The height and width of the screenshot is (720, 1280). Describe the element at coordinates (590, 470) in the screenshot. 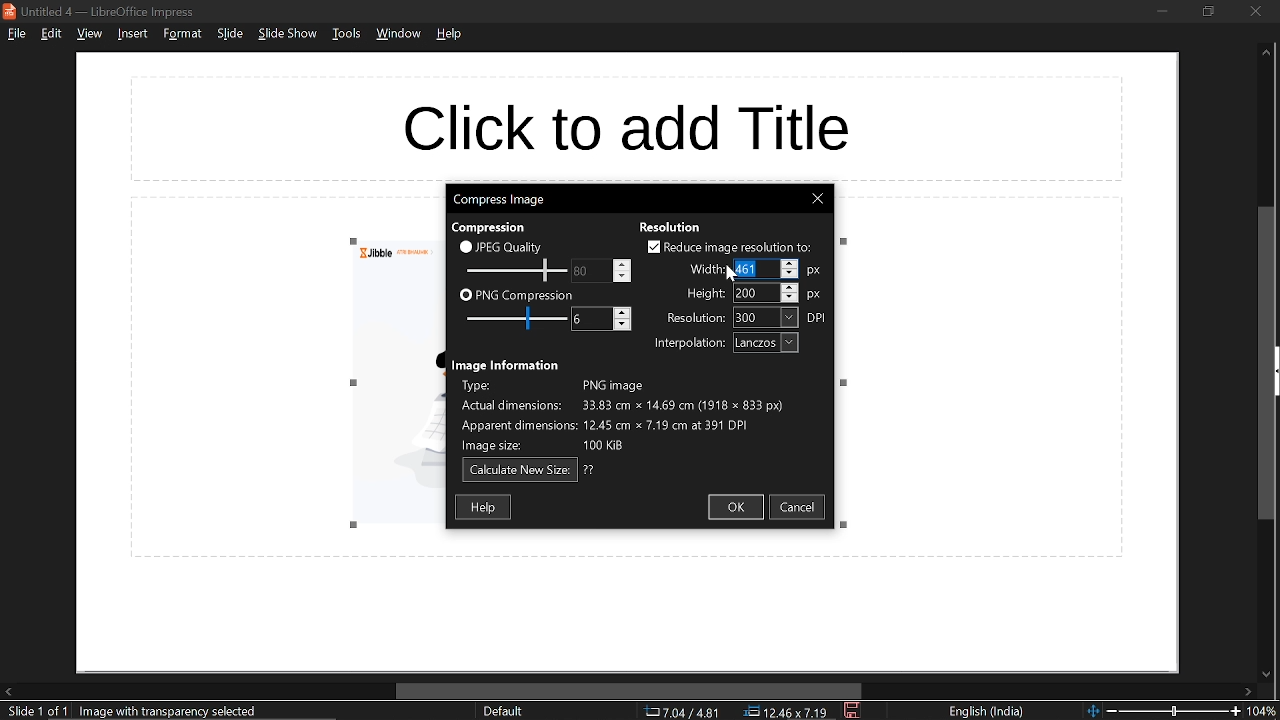

I see `text` at that location.